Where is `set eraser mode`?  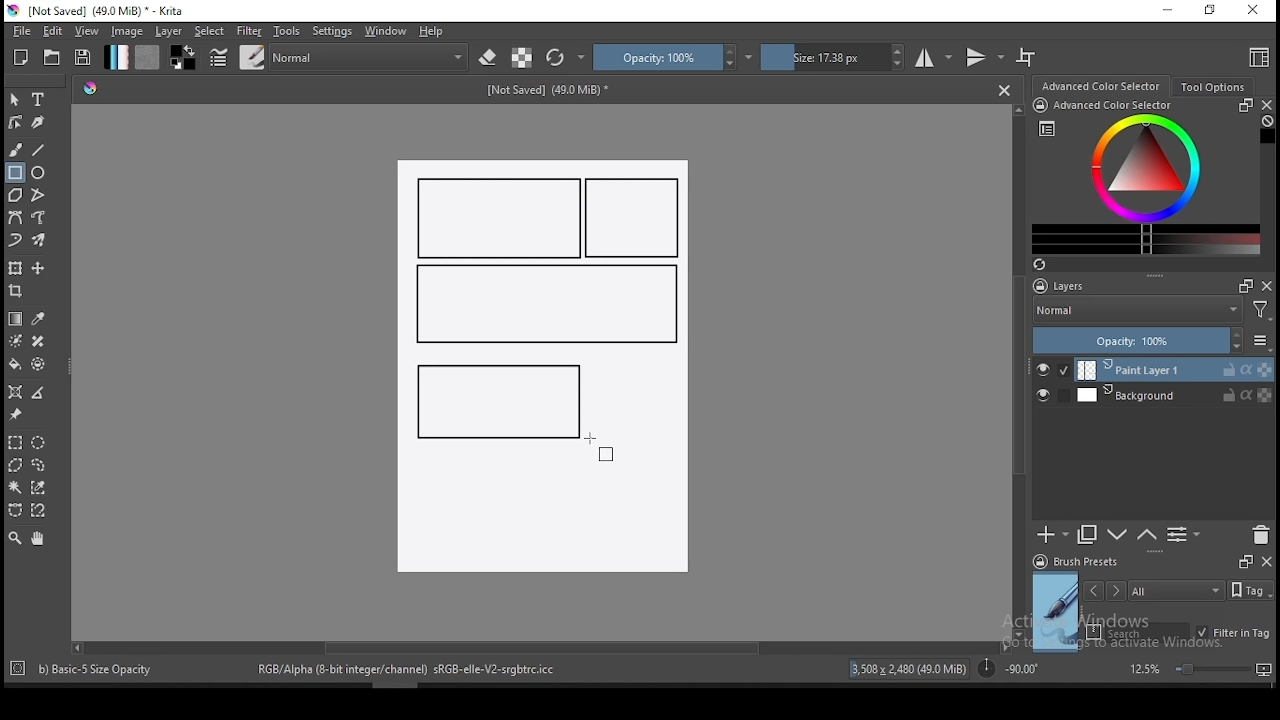
set eraser mode is located at coordinates (490, 58).